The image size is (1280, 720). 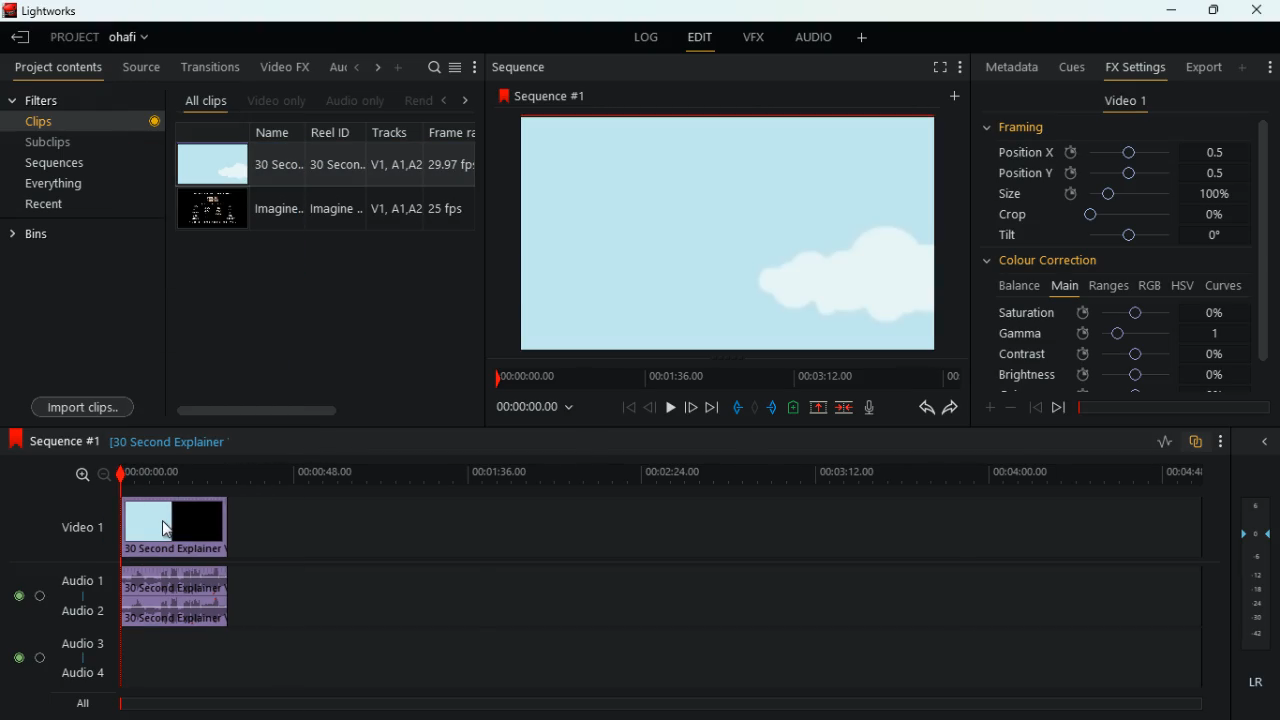 What do you see at coordinates (538, 409) in the screenshot?
I see `time` at bounding box center [538, 409].